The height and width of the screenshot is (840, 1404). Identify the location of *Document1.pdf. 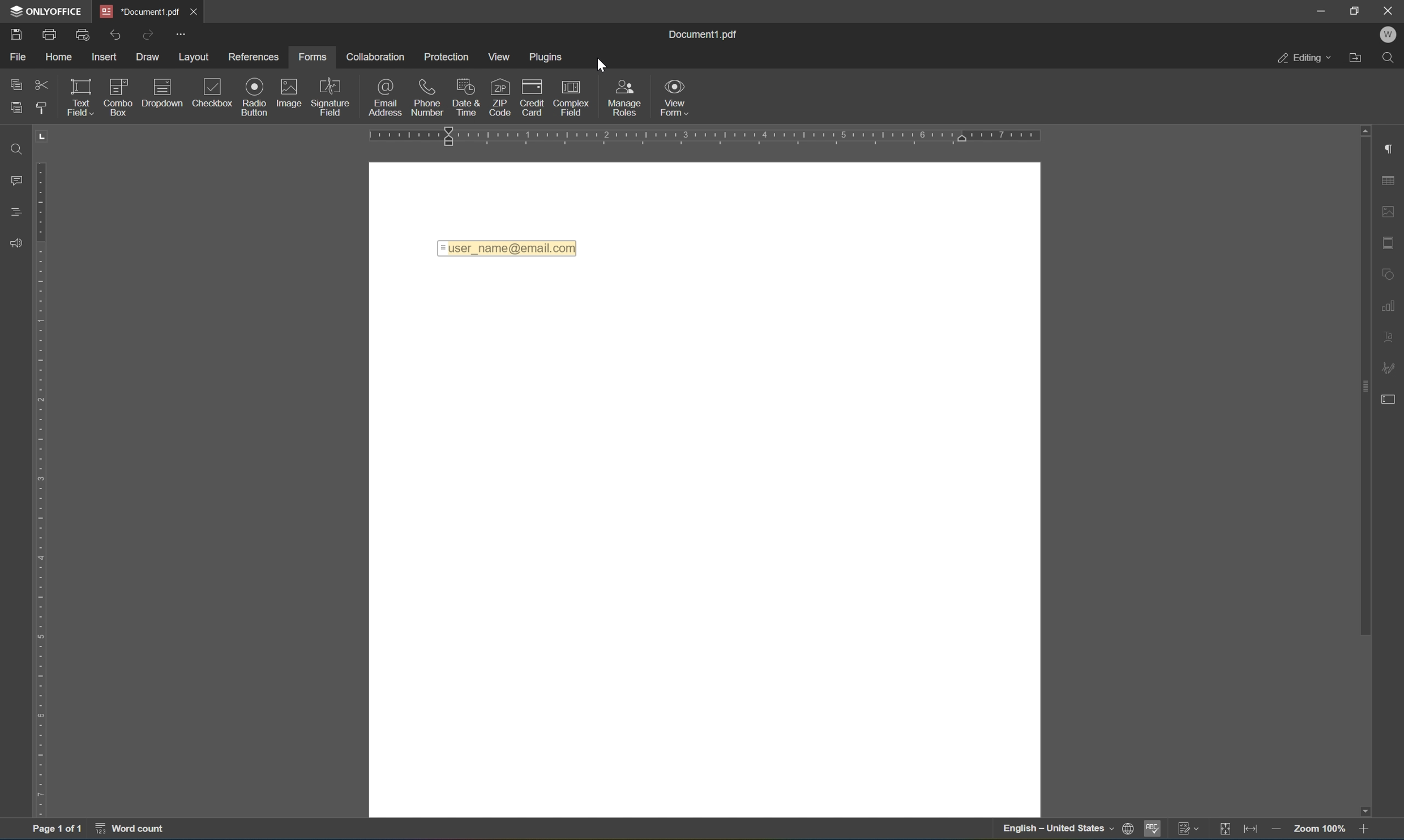
(138, 11).